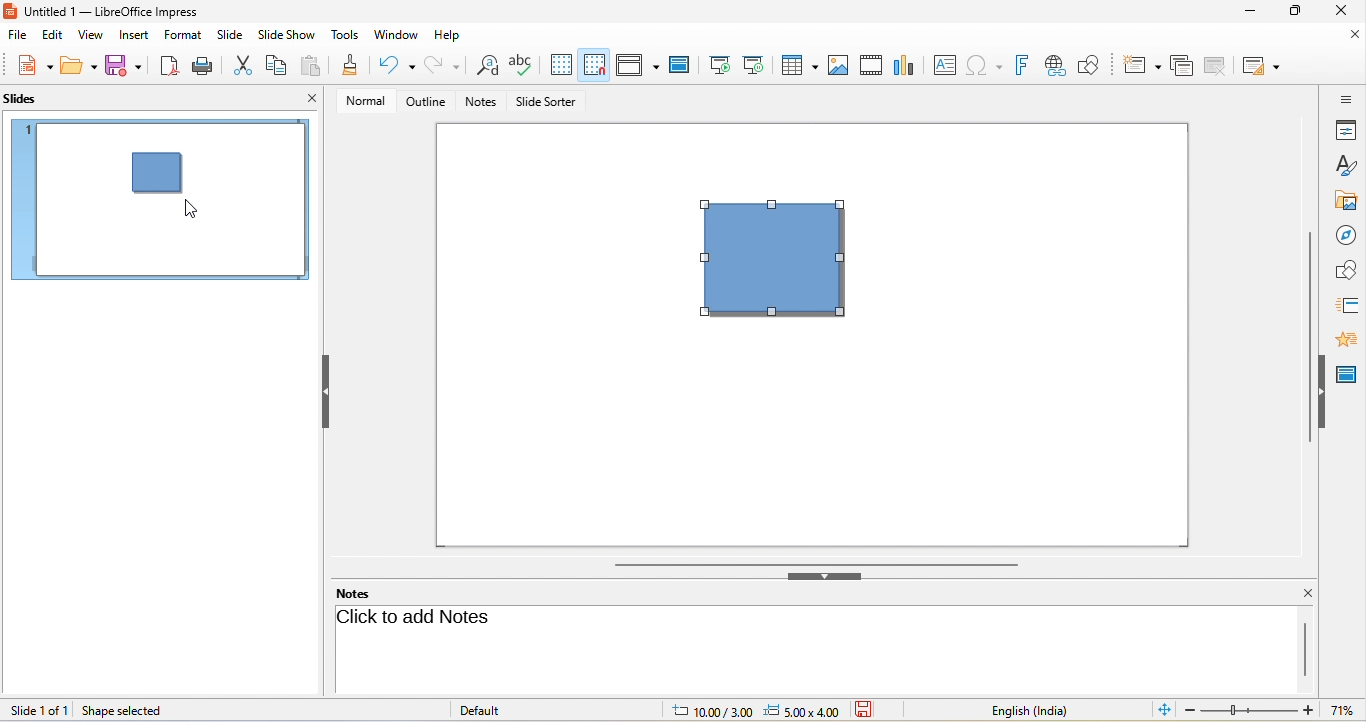 The width and height of the screenshot is (1366, 722). Describe the element at coordinates (455, 36) in the screenshot. I see `help` at that location.